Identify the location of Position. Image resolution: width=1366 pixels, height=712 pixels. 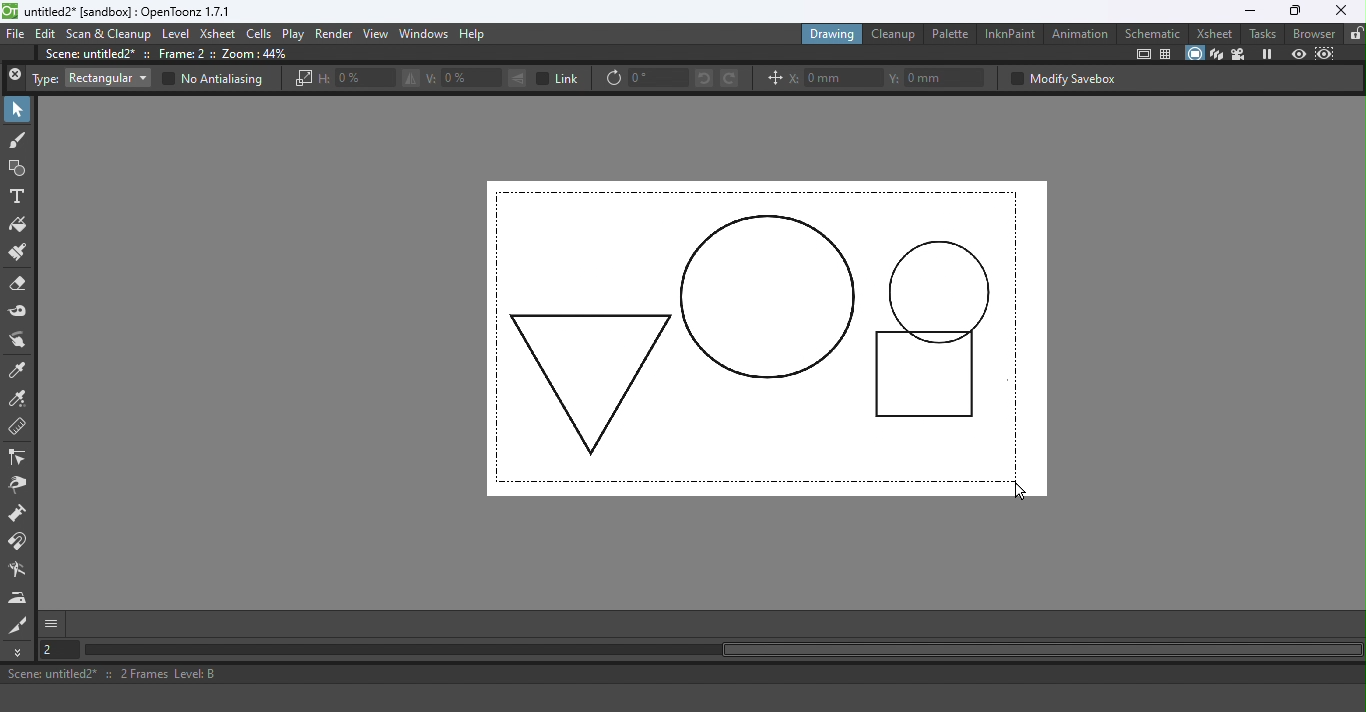
(772, 80).